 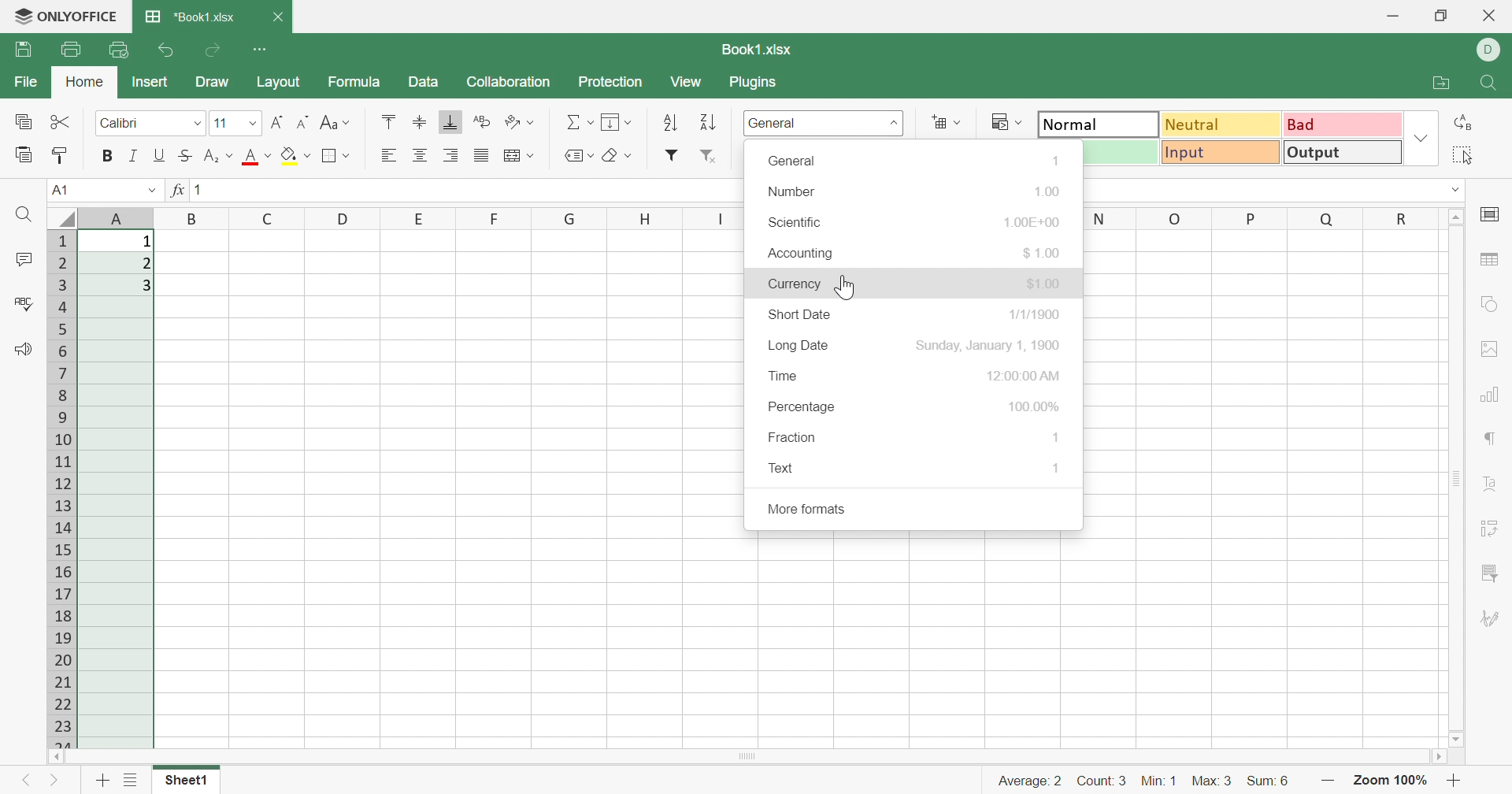 I want to click on Select all, so click(x=1461, y=155).